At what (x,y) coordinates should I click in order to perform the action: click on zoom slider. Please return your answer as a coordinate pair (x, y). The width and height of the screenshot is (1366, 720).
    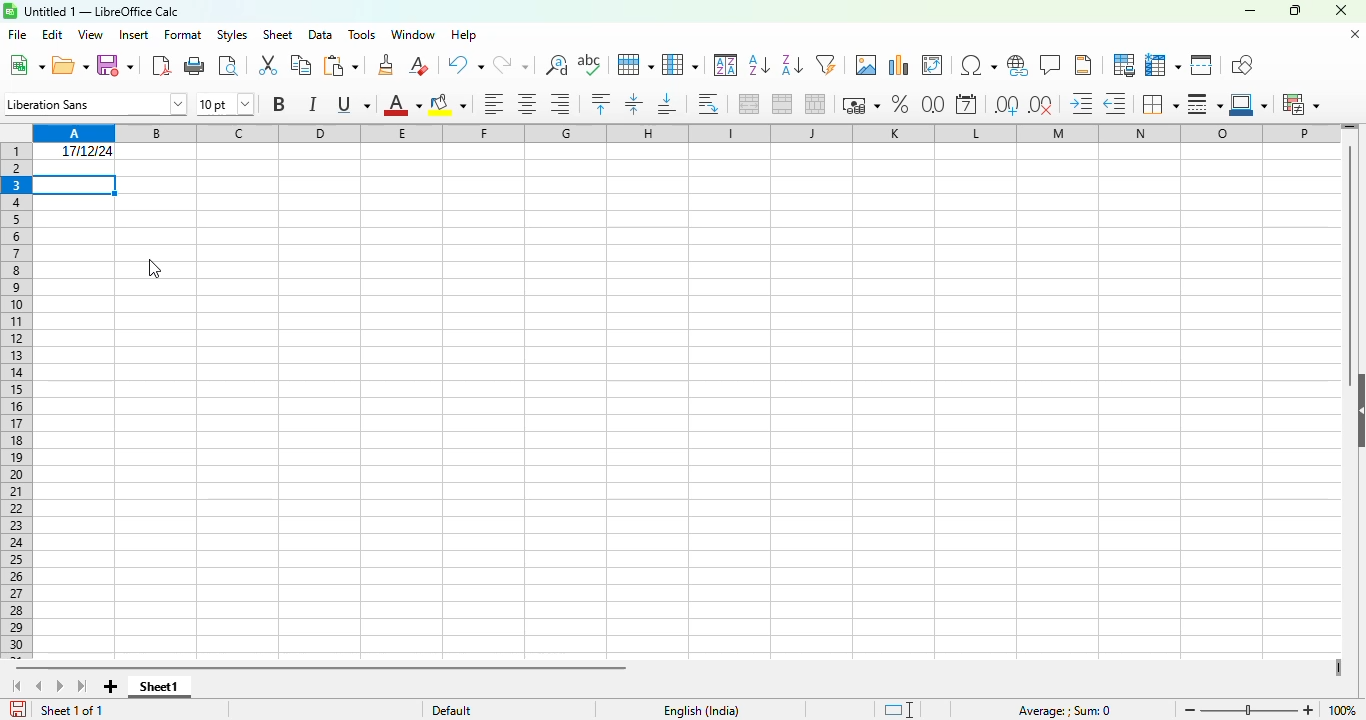
    Looking at the image, I should click on (1251, 709).